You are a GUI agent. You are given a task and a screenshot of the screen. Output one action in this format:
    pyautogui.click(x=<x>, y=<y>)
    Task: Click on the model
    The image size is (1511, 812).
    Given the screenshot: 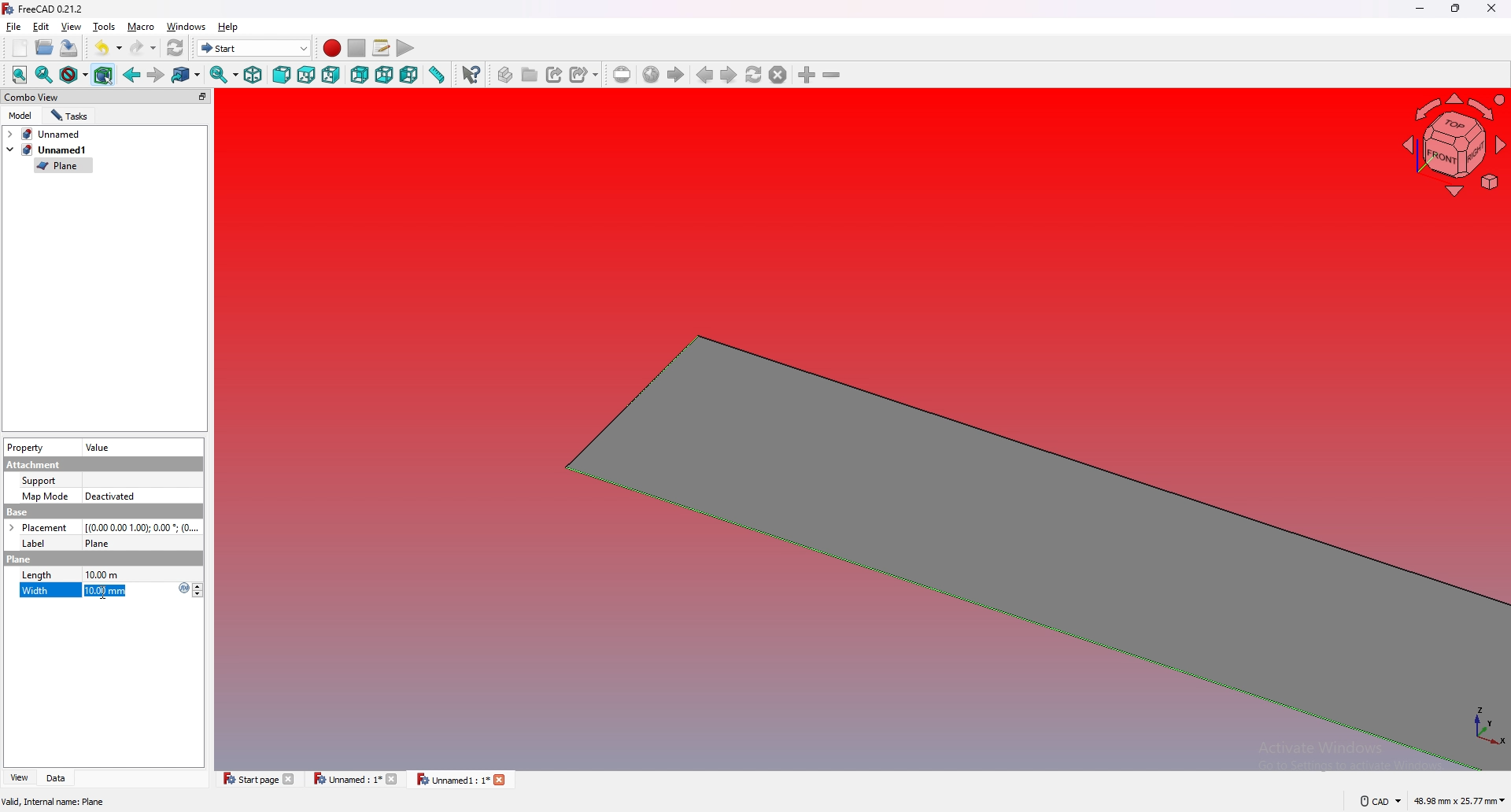 What is the action you would take?
    pyautogui.click(x=21, y=116)
    